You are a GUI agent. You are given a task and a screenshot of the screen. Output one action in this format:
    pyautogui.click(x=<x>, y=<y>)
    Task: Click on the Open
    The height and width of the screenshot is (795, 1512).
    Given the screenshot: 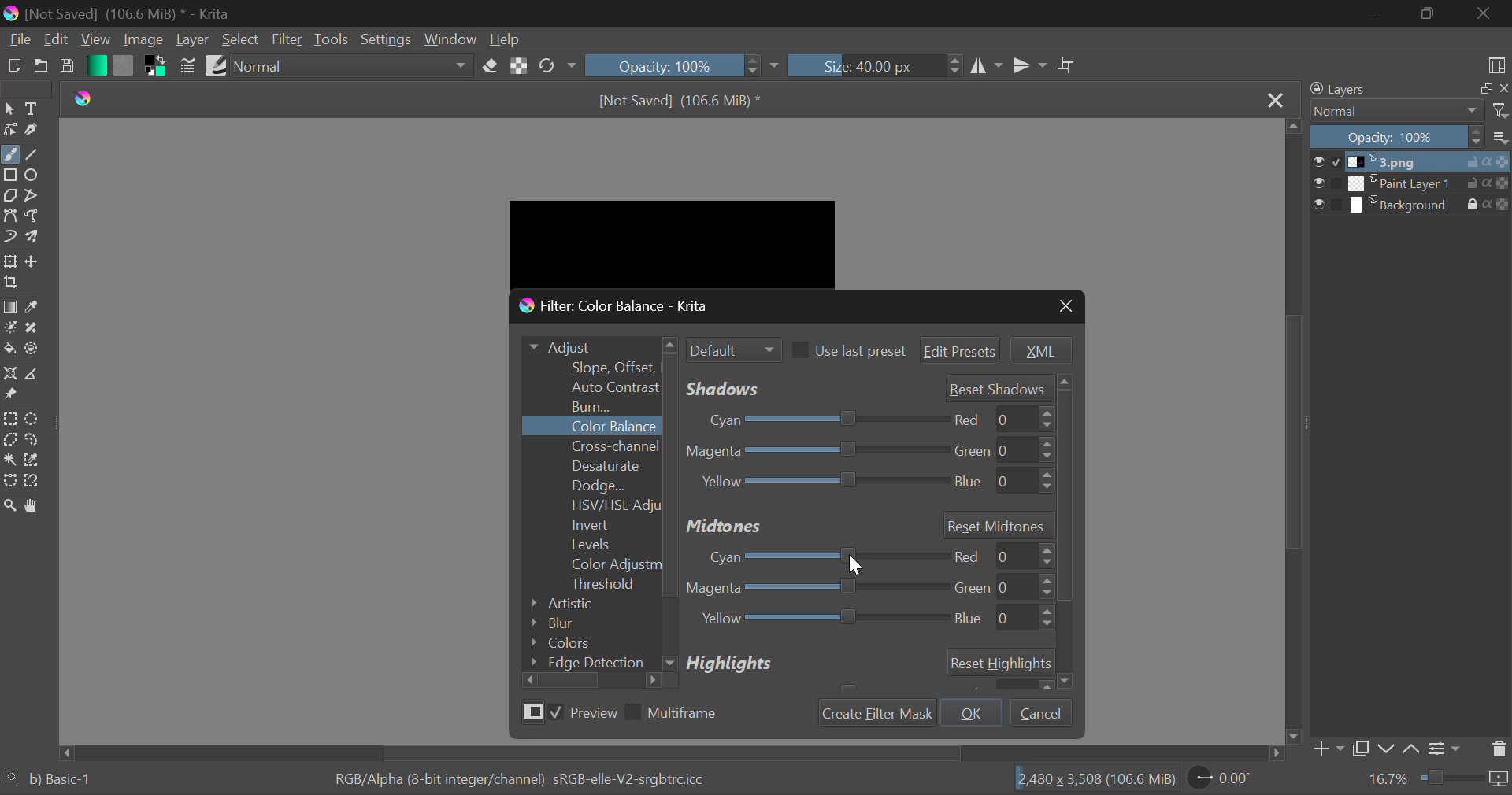 What is the action you would take?
    pyautogui.click(x=43, y=68)
    